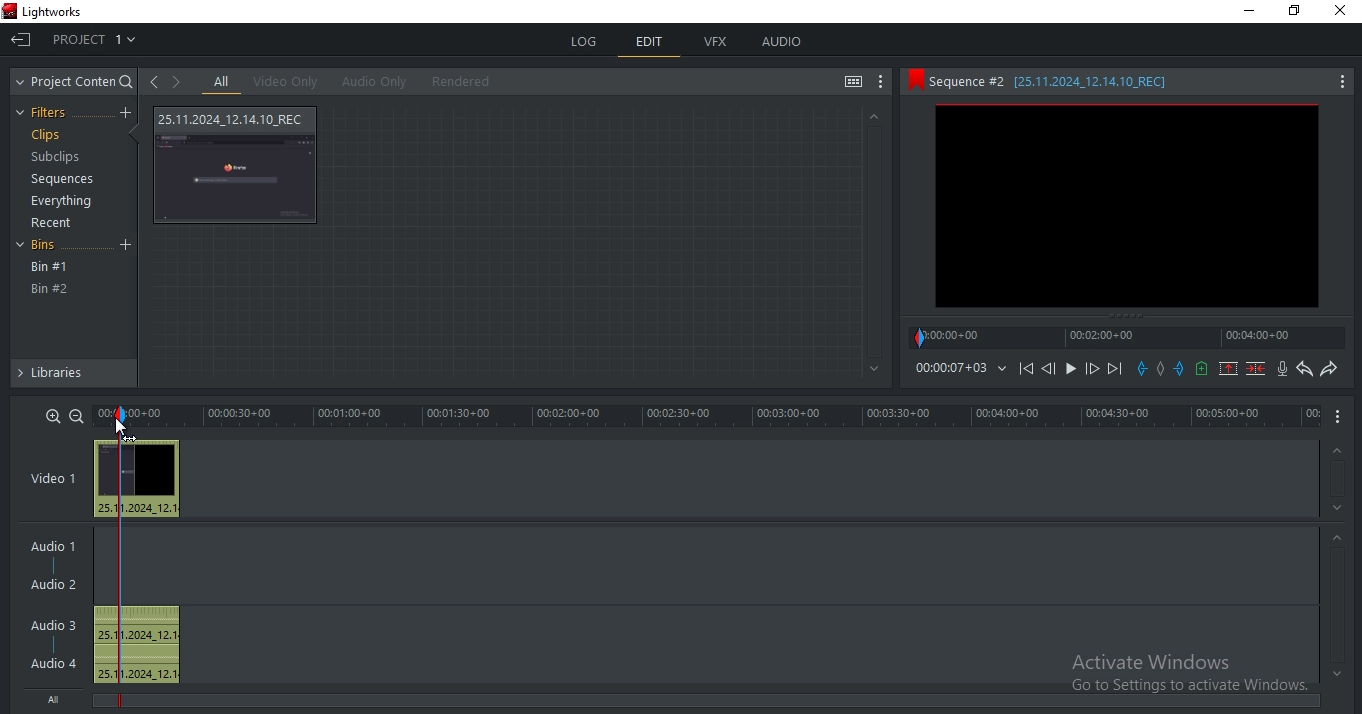  I want to click on add a cue, so click(1203, 369).